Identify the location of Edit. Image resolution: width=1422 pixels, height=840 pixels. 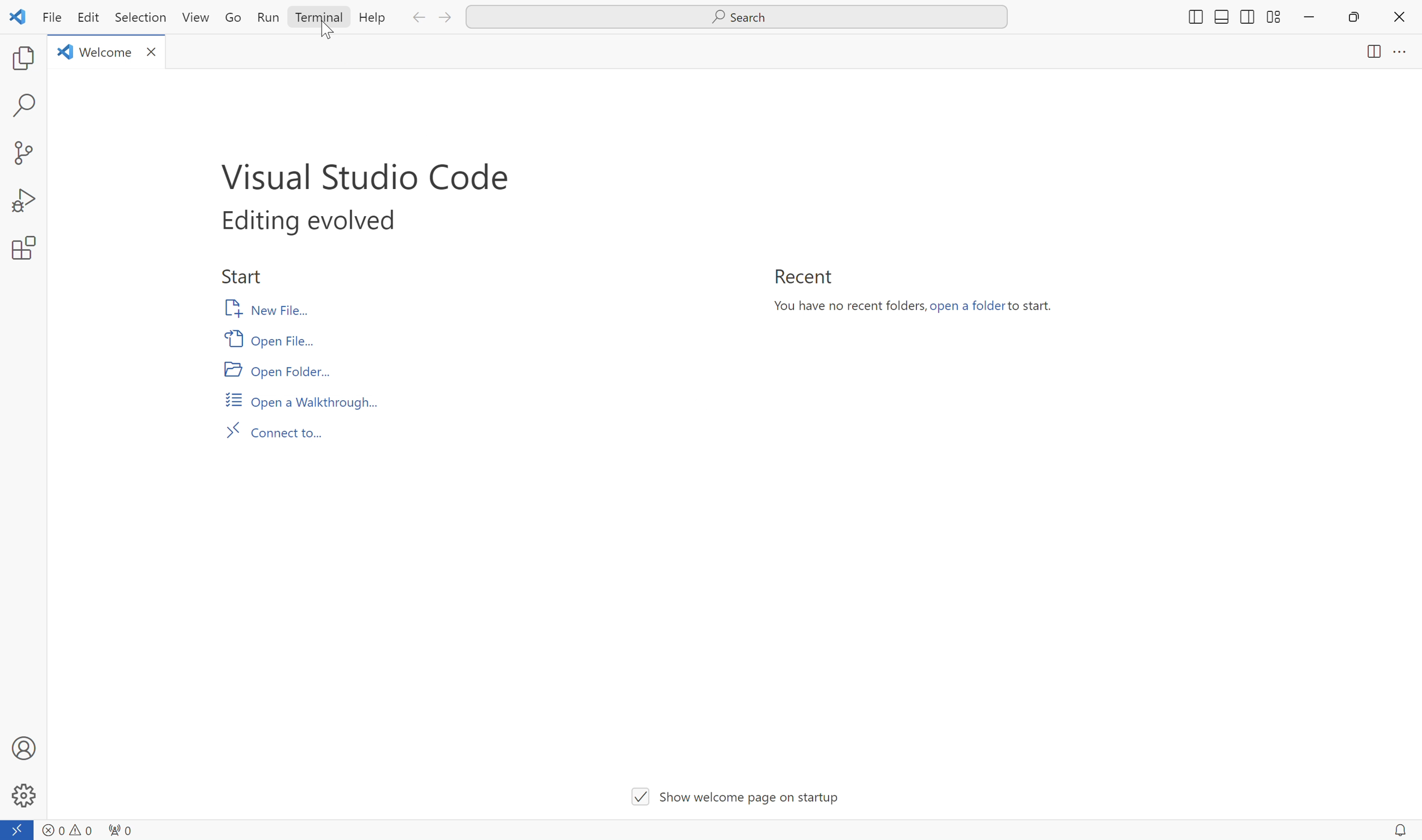
(87, 18).